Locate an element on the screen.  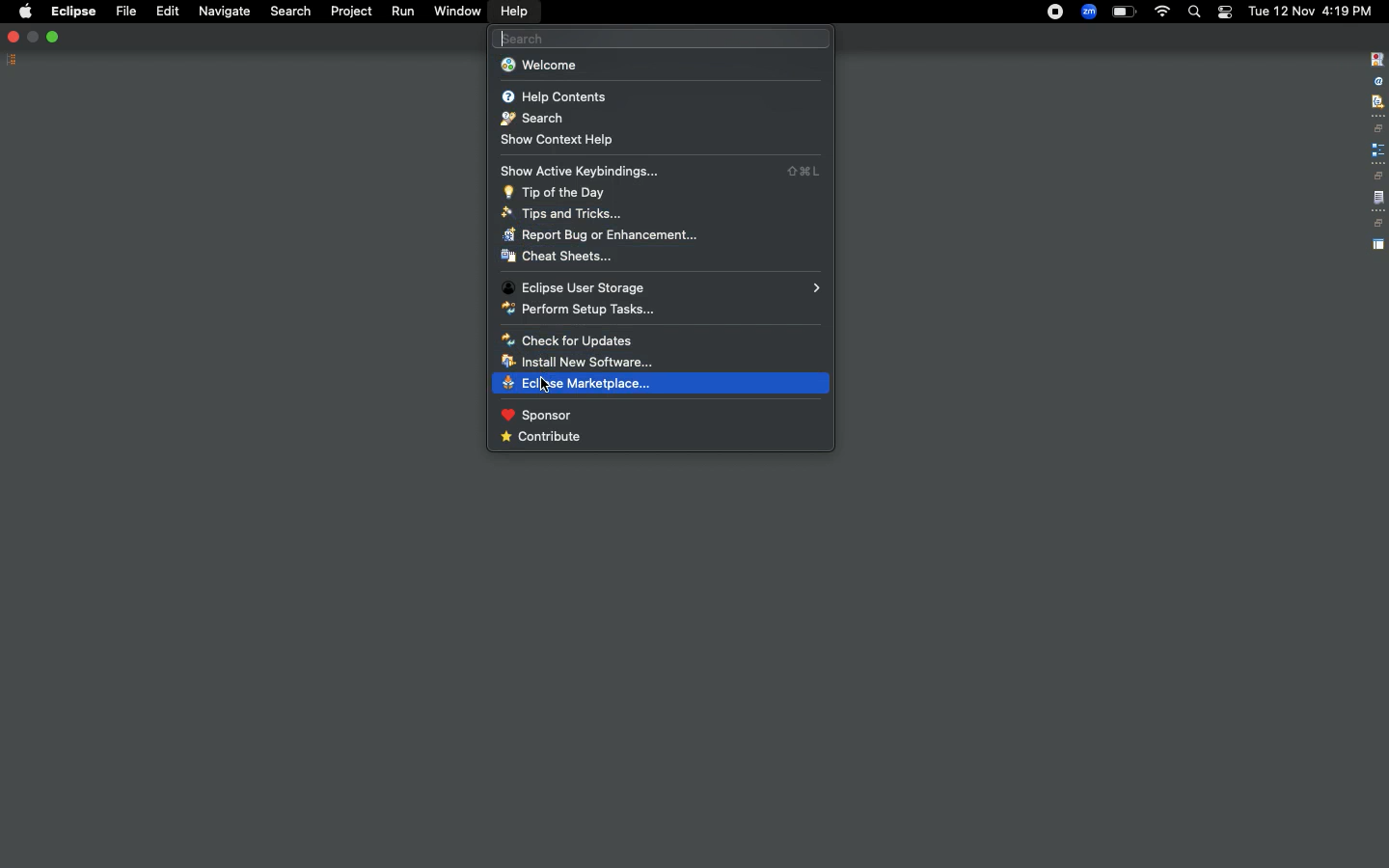
cursor is located at coordinates (546, 385).